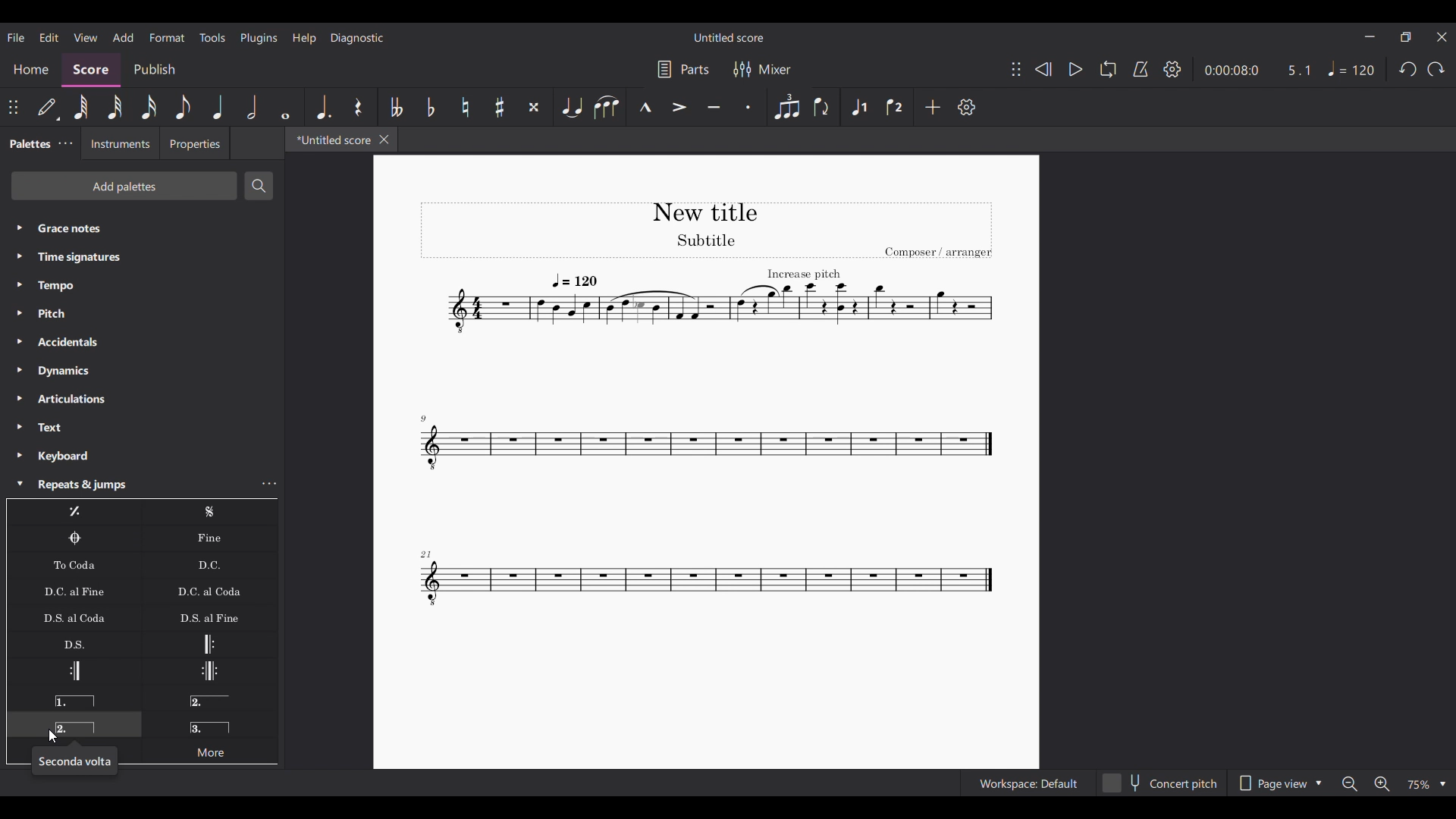  Describe the element at coordinates (645, 107) in the screenshot. I see `Marcato` at that location.